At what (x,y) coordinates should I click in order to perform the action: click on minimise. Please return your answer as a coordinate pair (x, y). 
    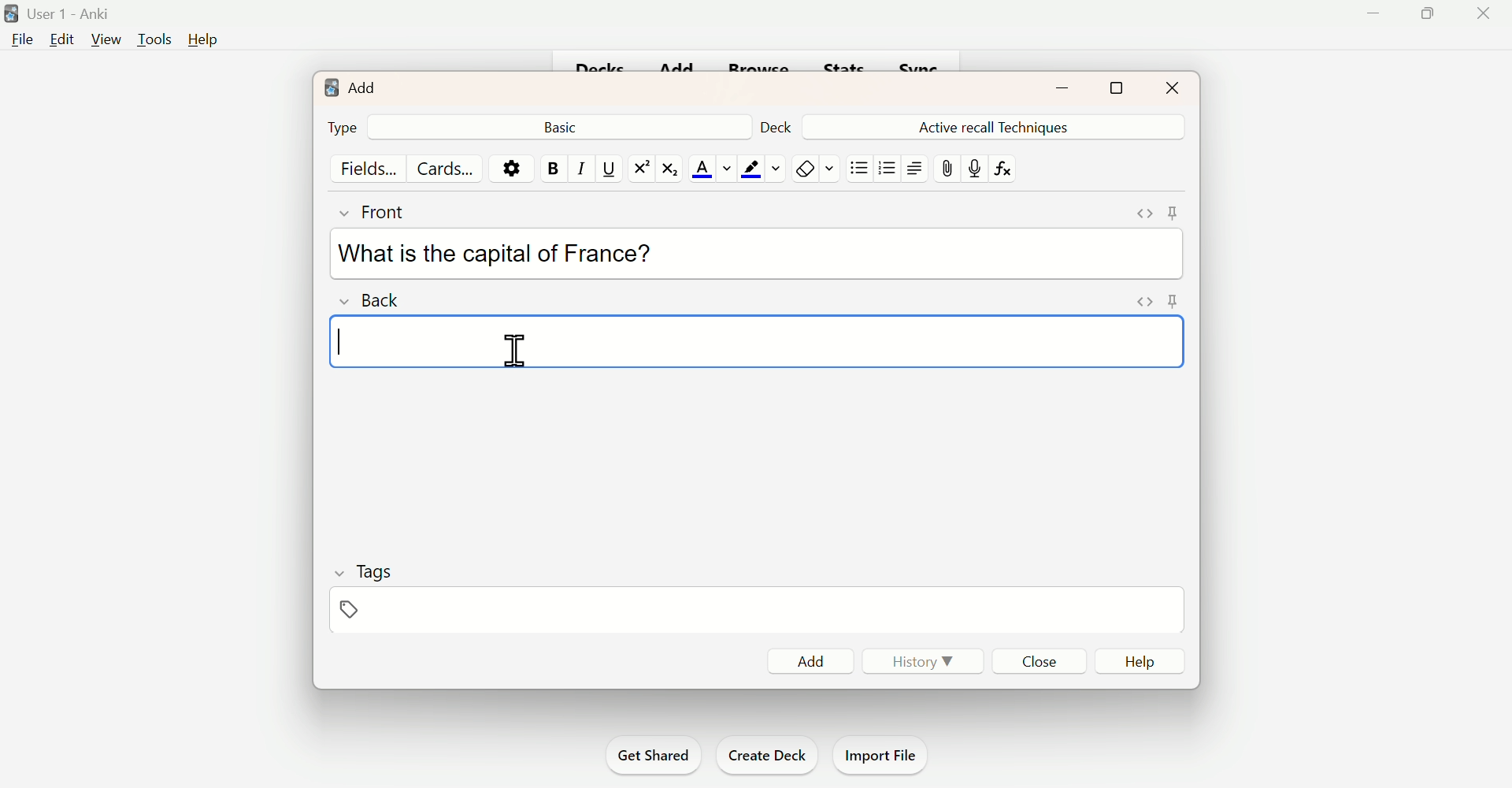
    Looking at the image, I should click on (1053, 88).